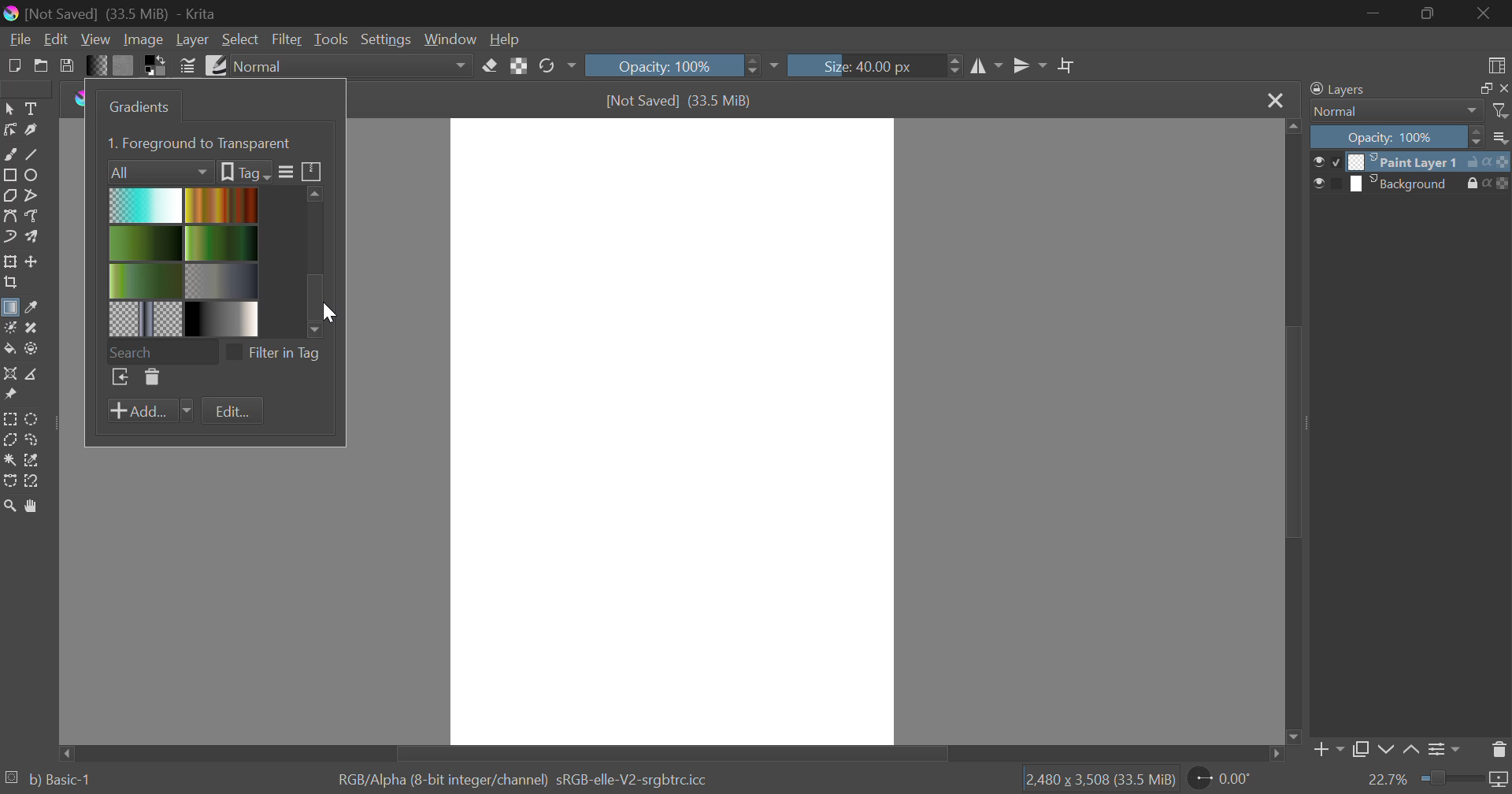 This screenshot has height=794, width=1512. I want to click on Settings, so click(384, 39).